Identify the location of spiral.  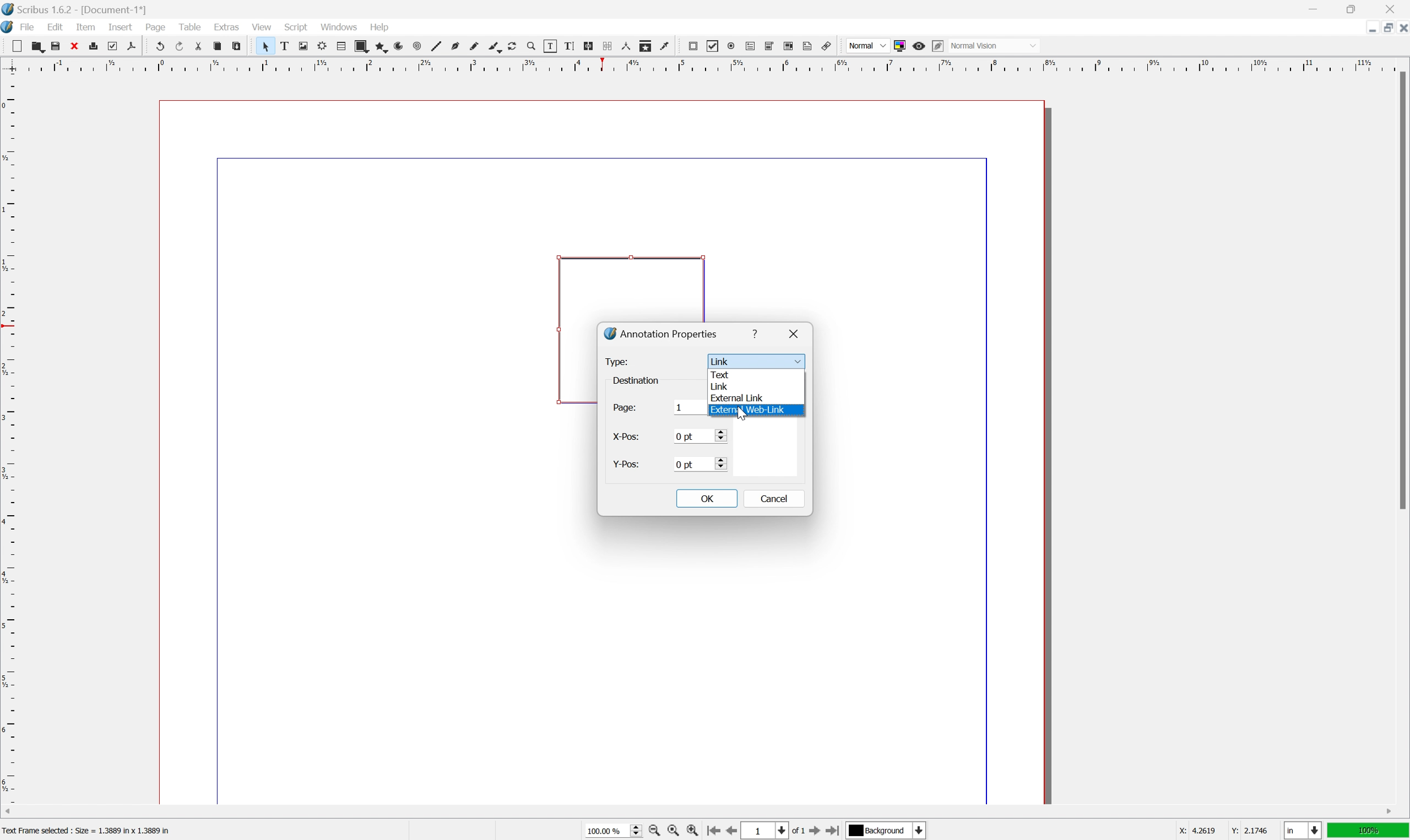
(418, 46).